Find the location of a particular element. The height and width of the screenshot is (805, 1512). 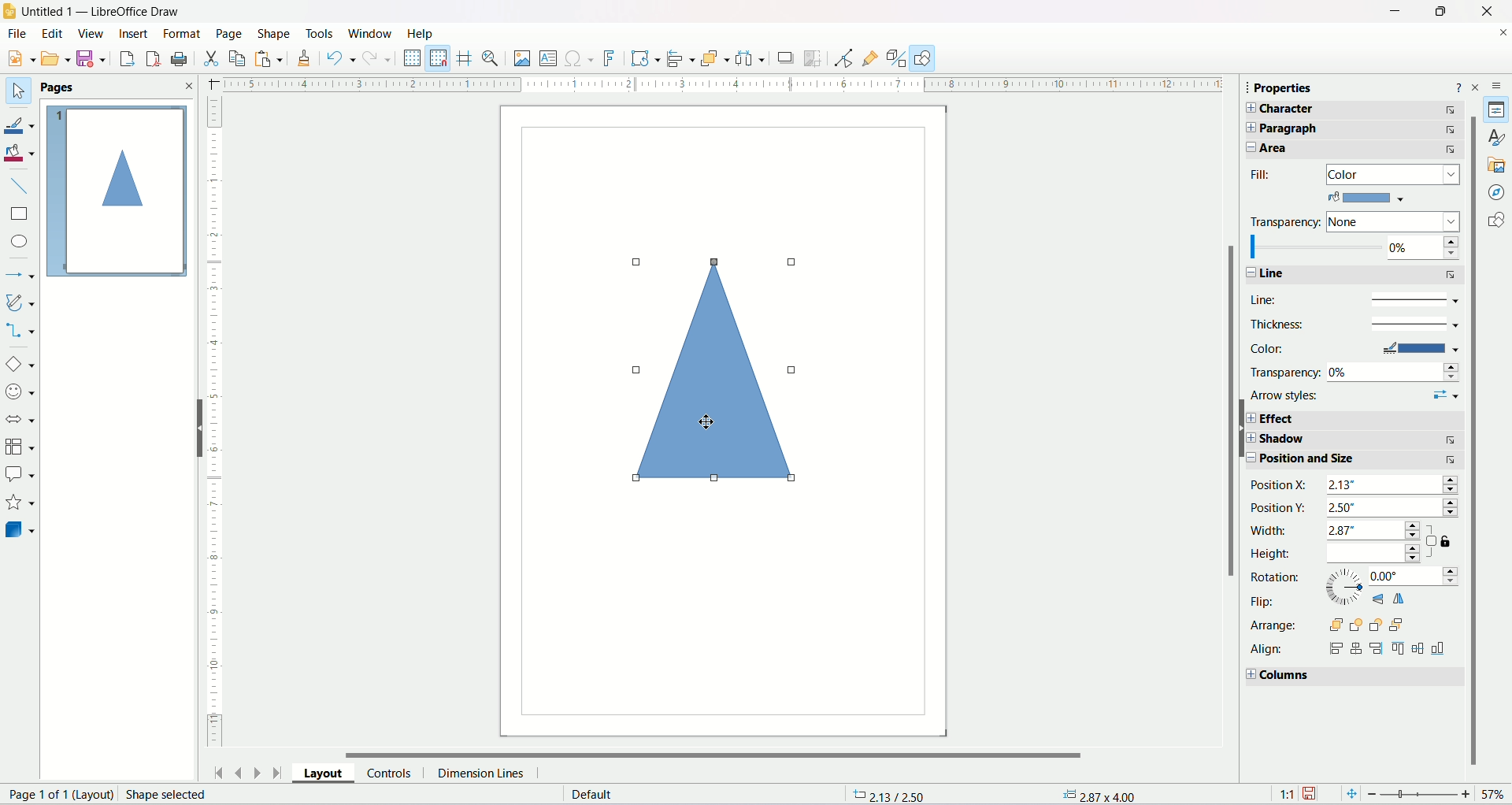

Block Arrows is located at coordinates (19, 417).